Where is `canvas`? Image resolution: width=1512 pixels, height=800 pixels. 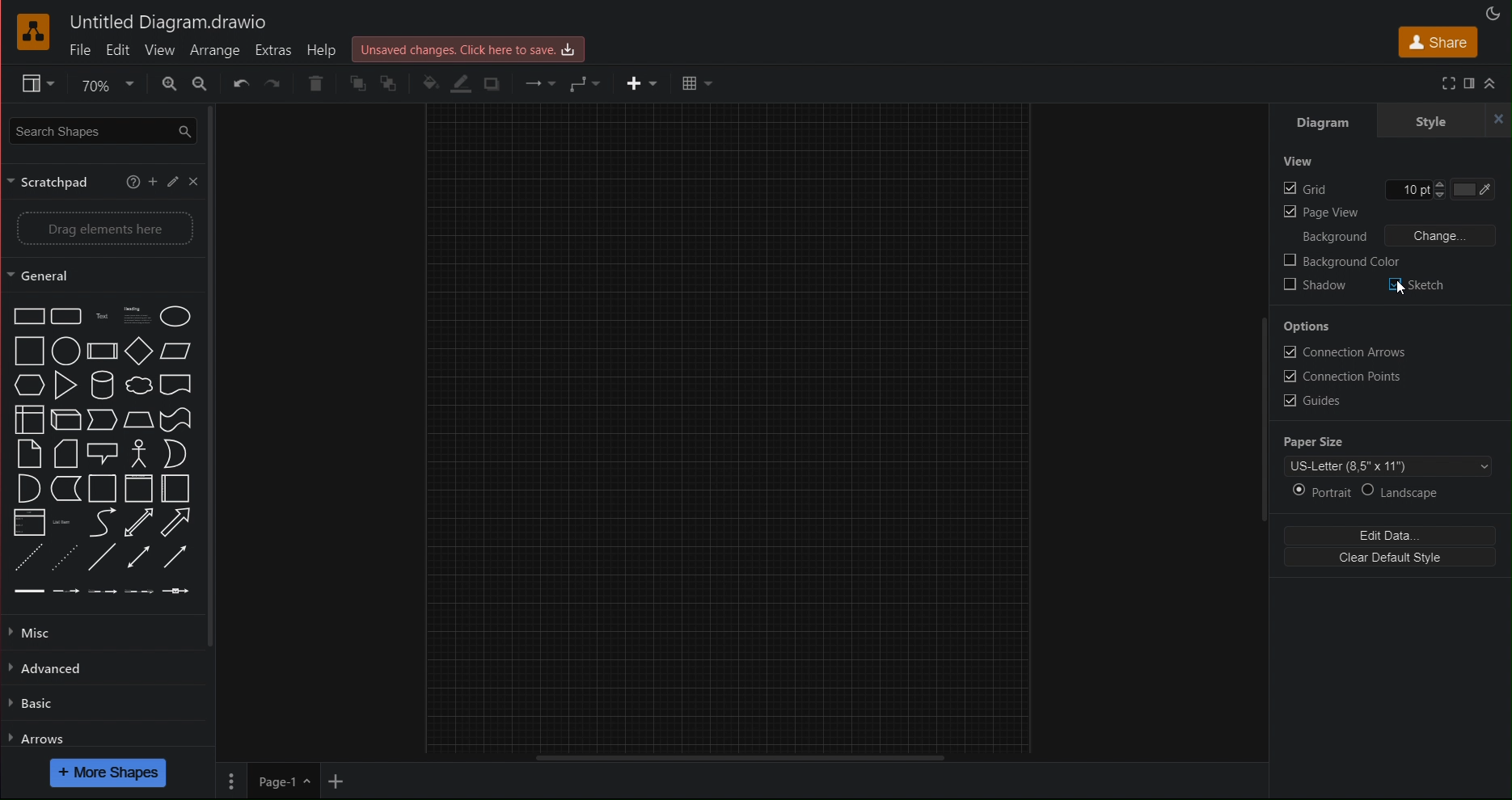 canvas is located at coordinates (728, 427).